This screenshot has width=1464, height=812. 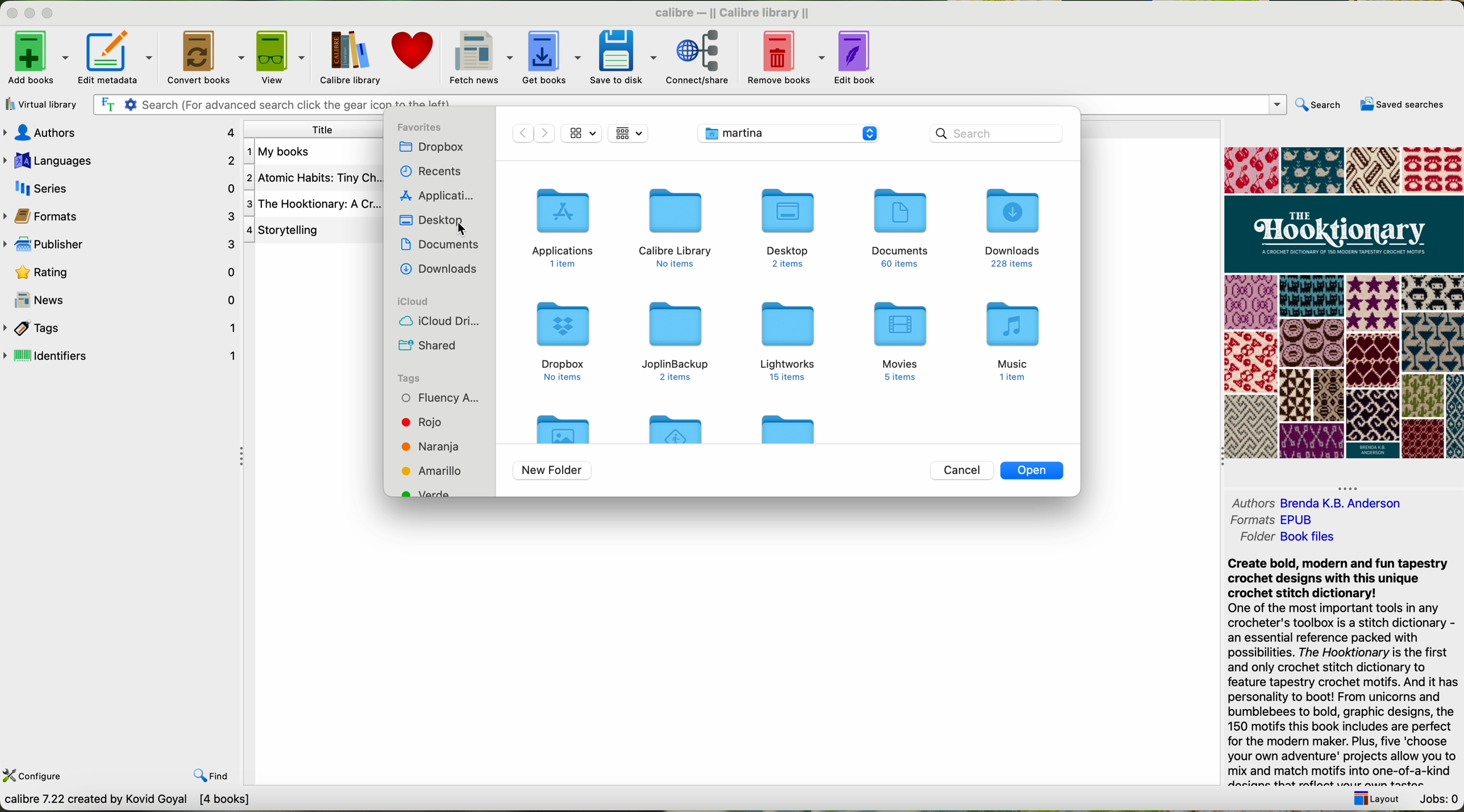 I want to click on donate, so click(x=414, y=50).